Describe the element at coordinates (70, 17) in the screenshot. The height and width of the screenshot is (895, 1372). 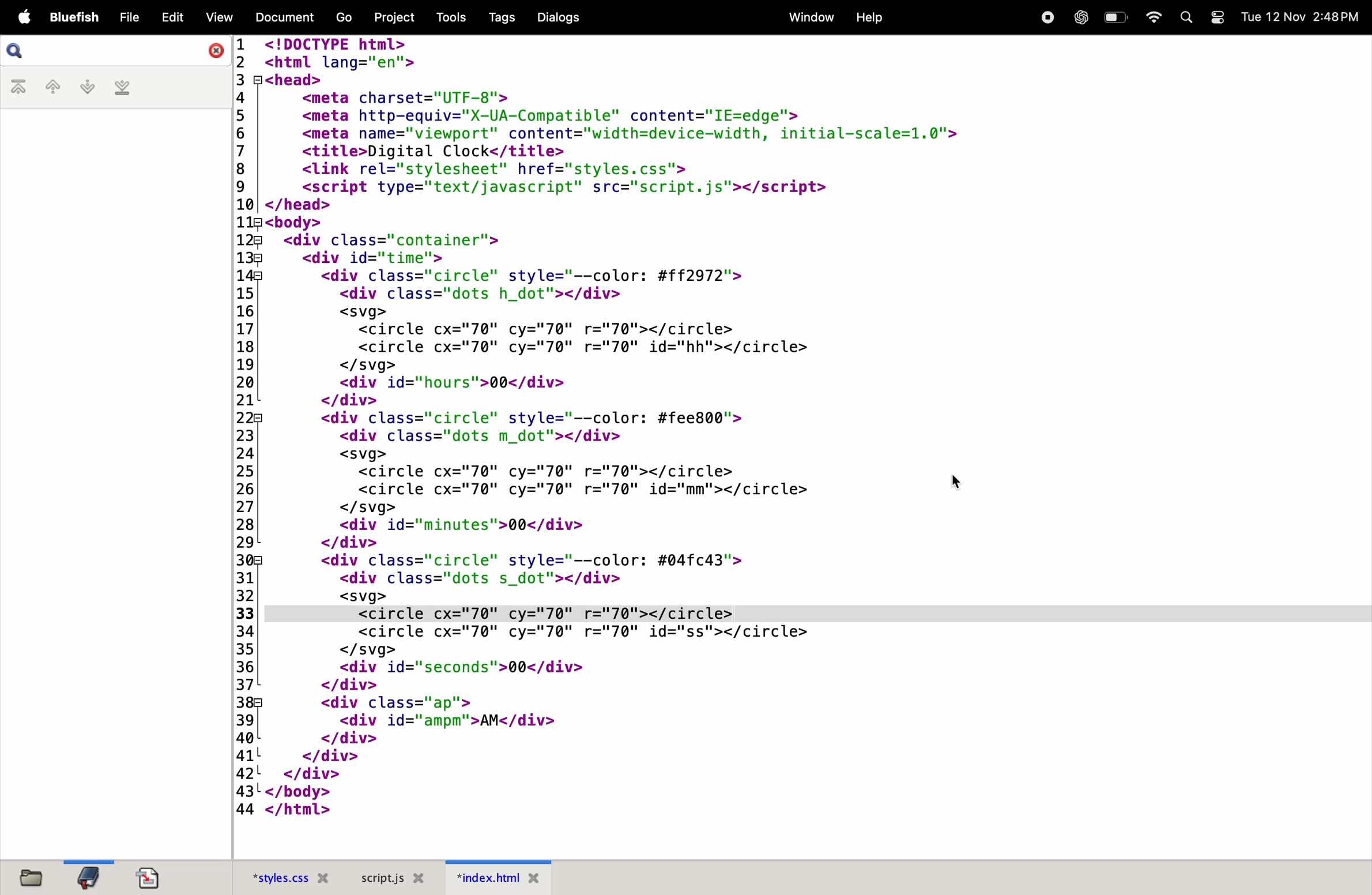
I see `bluefish` at that location.